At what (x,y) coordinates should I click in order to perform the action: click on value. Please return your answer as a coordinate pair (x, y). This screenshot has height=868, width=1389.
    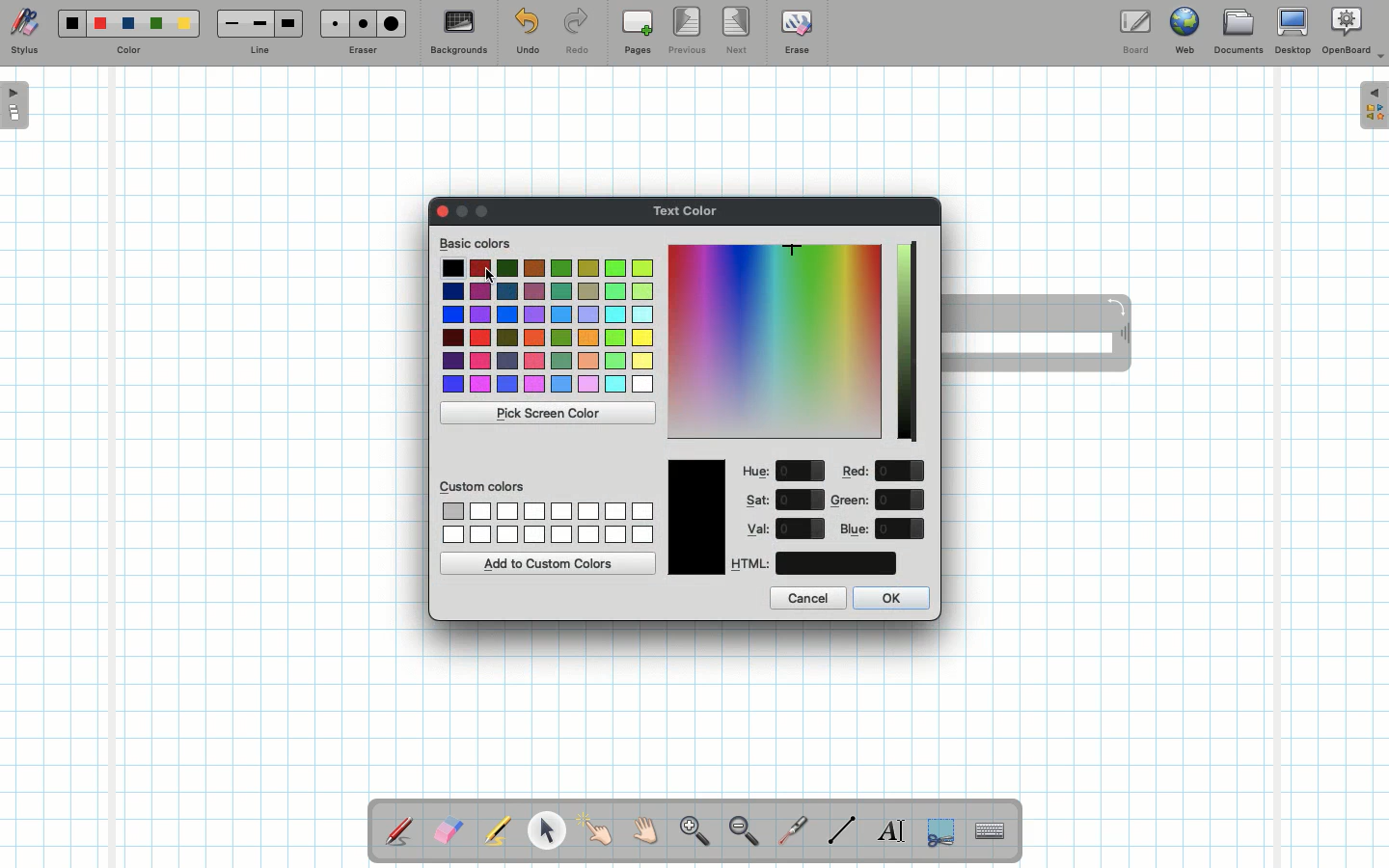
    Looking at the image, I should click on (801, 472).